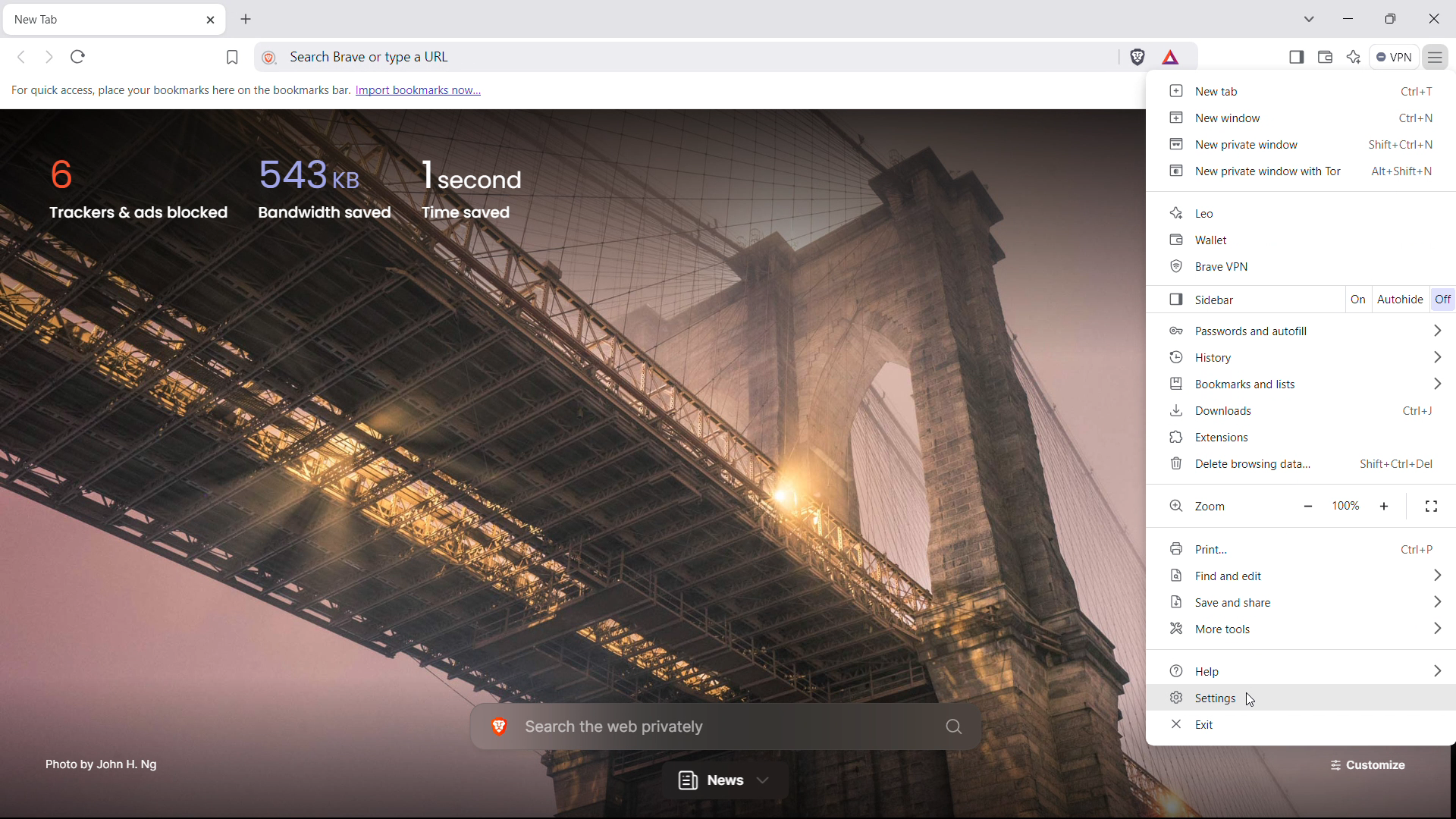 The height and width of the screenshot is (819, 1456). What do you see at coordinates (47, 56) in the screenshot?
I see `click to go back forward to see history ` at bounding box center [47, 56].